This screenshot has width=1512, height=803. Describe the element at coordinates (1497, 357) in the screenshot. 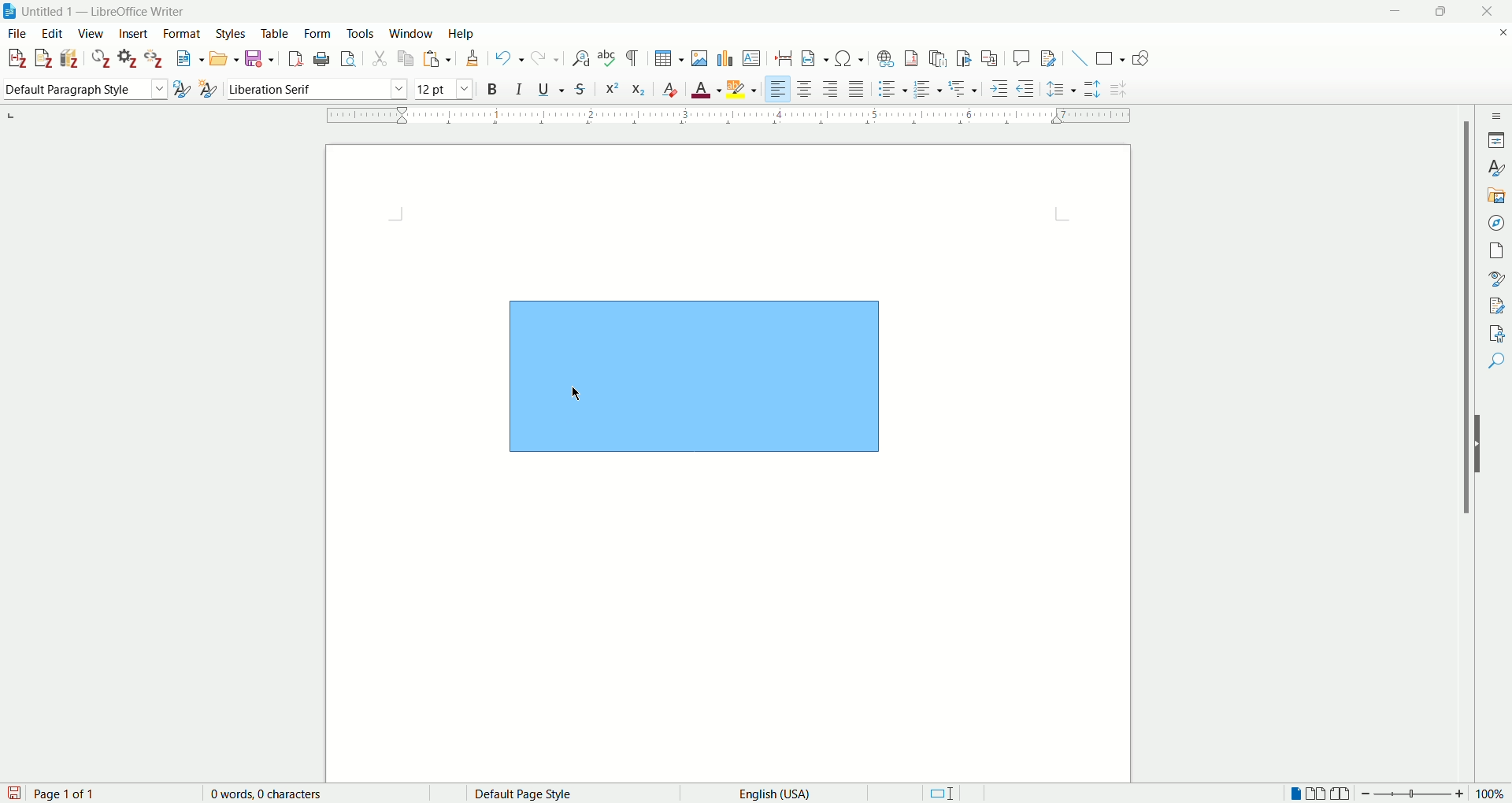

I see `find` at that location.